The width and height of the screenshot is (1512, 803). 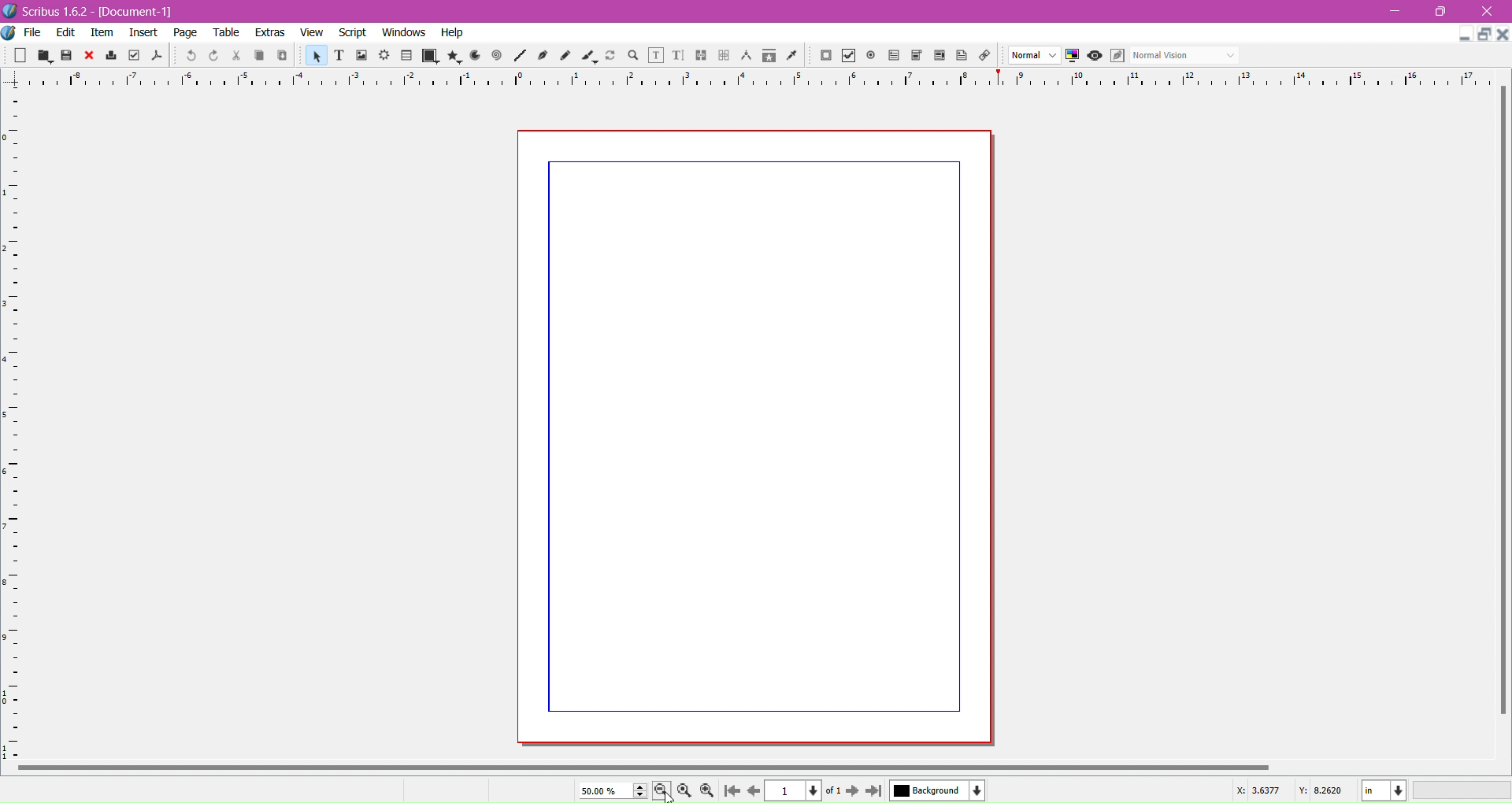 What do you see at coordinates (1384, 790) in the screenshot?
I see `Select the current Unit` at bounding box center [1384, 790].